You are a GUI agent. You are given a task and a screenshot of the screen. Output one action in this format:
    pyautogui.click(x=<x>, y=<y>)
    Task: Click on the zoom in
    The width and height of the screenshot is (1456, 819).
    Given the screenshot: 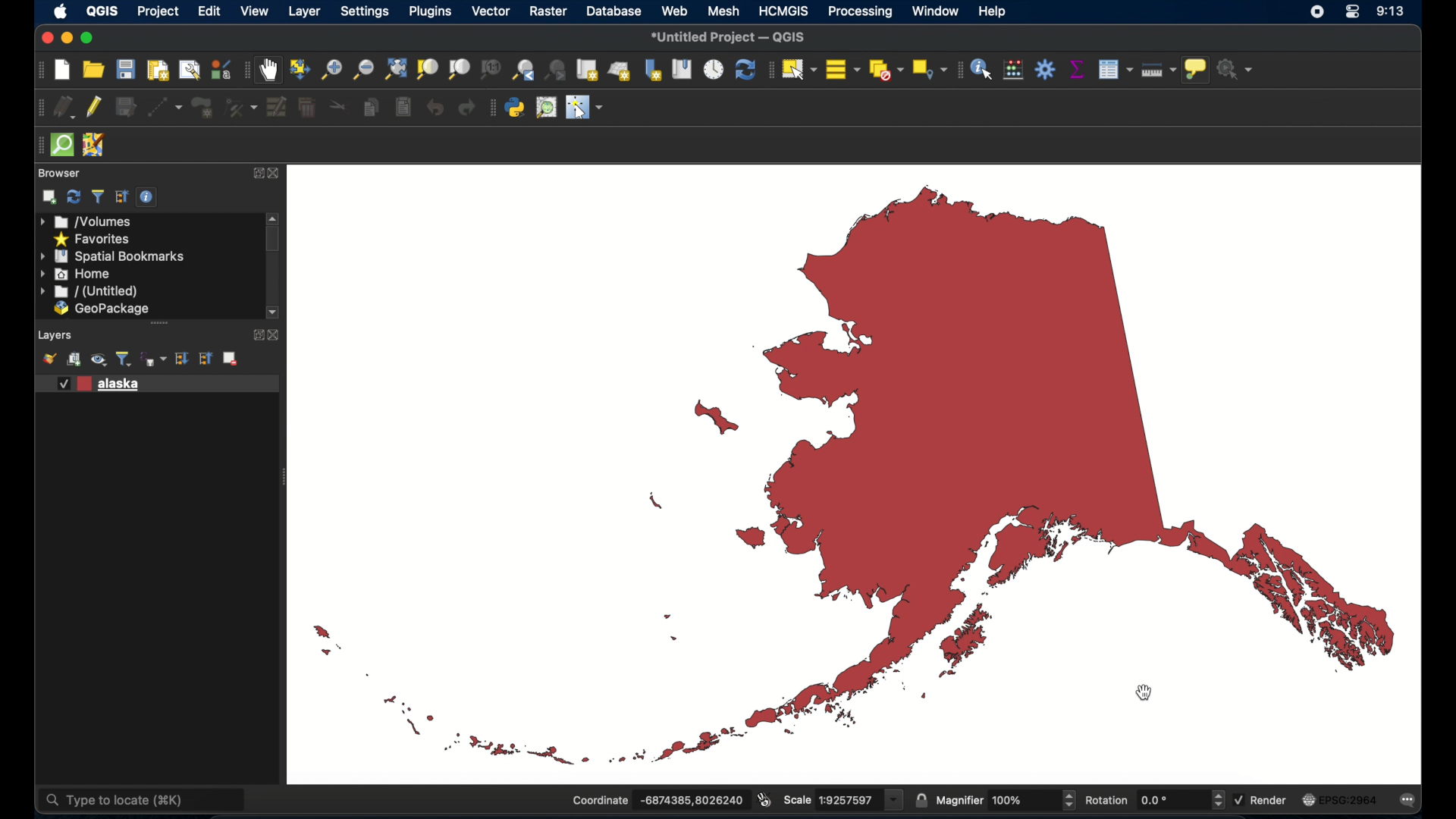 What is the action you would take?
    pyautogui.click(x=330, y=71)
    